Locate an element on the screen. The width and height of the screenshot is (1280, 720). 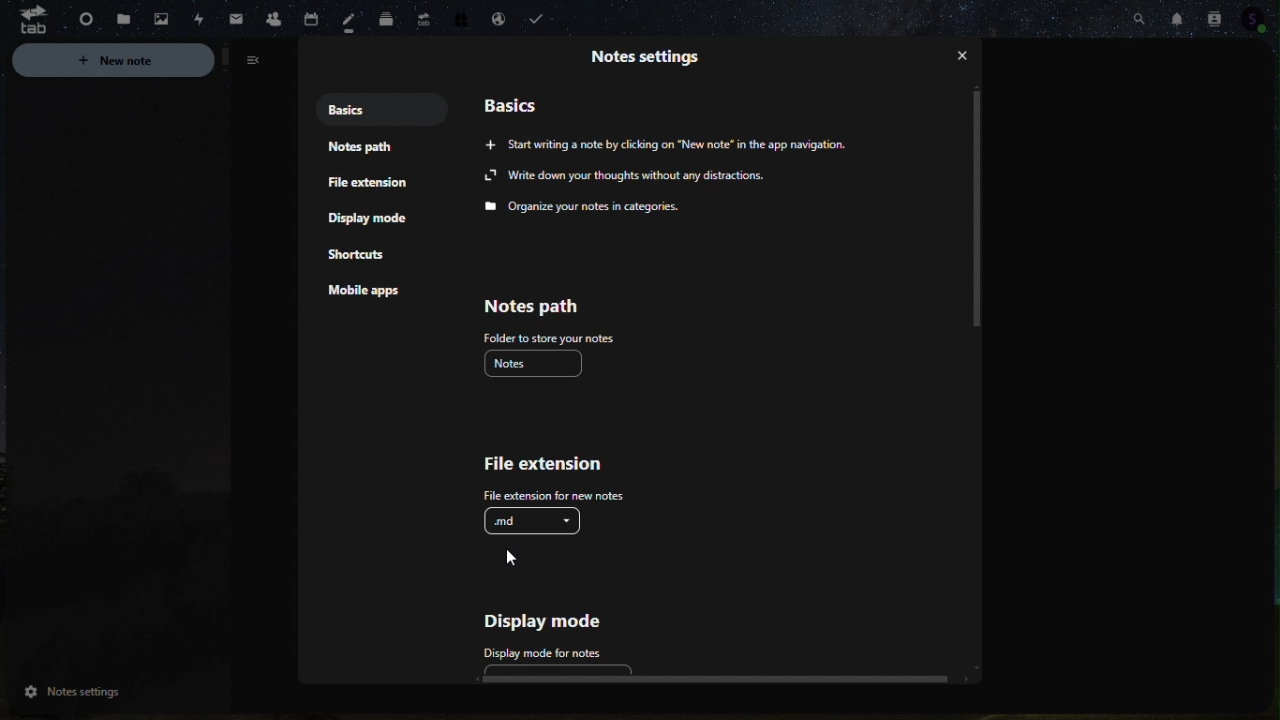
Search bar is located at coordinates (1138, 16).